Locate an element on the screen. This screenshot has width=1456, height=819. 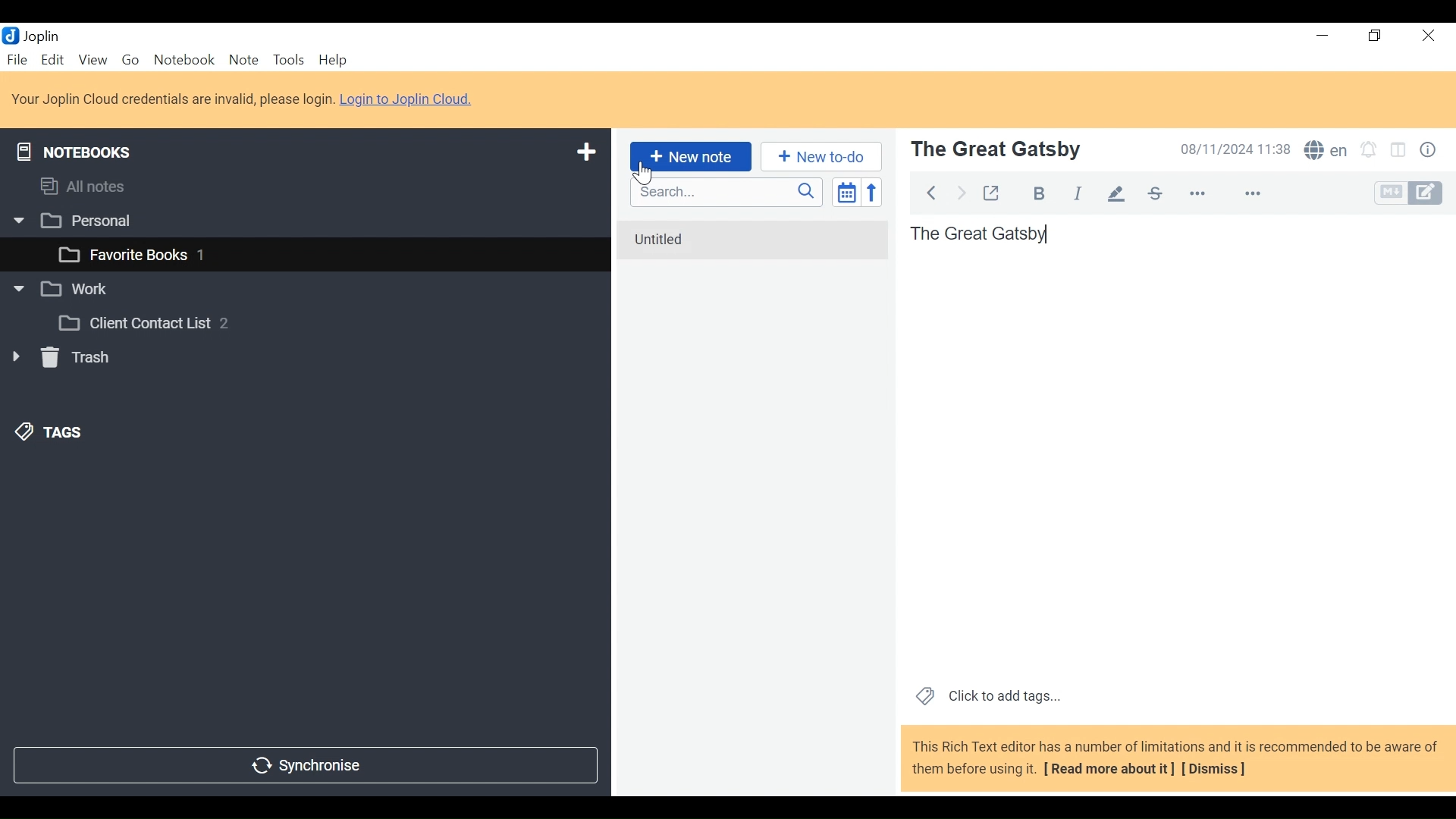
This Rich Text editor has a number of limitations and it is recommended to be aware of
them before using it. [ Read more about it] [Dismiss] is located at coordinates (1175, 759).